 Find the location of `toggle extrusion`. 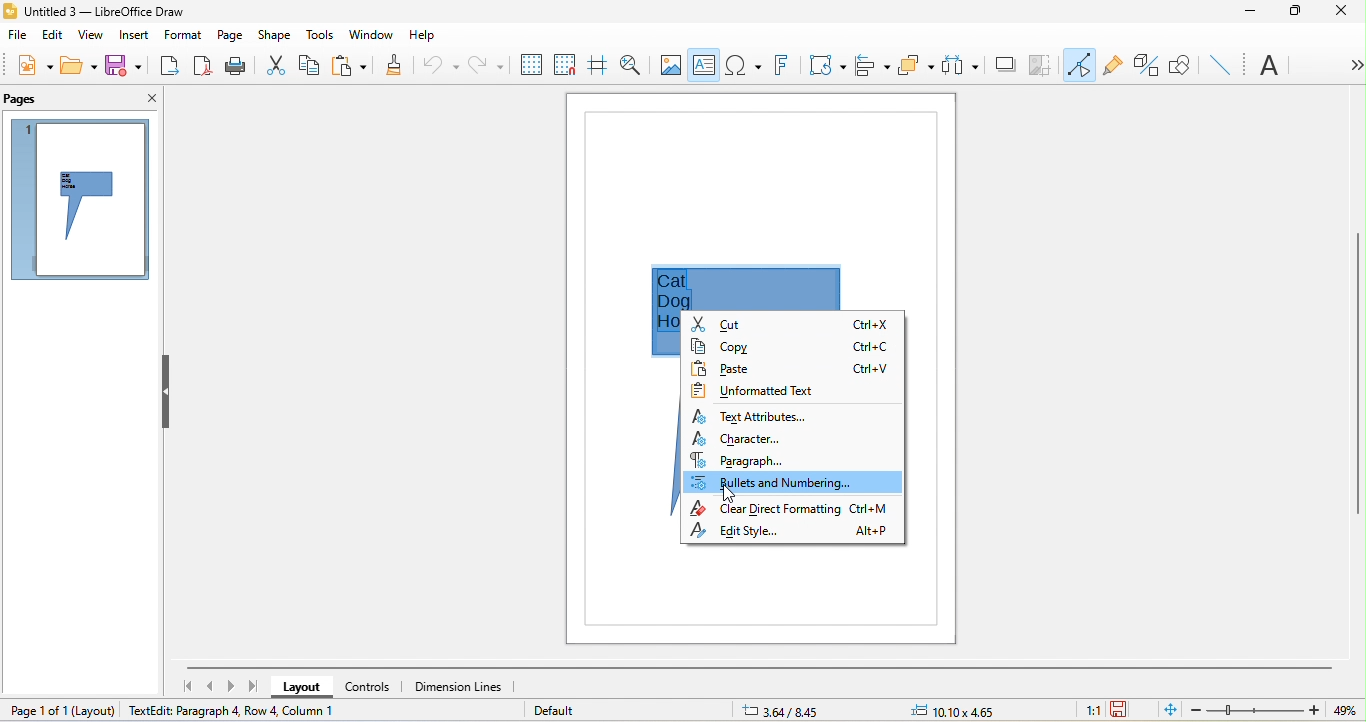

toggle extrusion is located at coordinates (1147, 66).